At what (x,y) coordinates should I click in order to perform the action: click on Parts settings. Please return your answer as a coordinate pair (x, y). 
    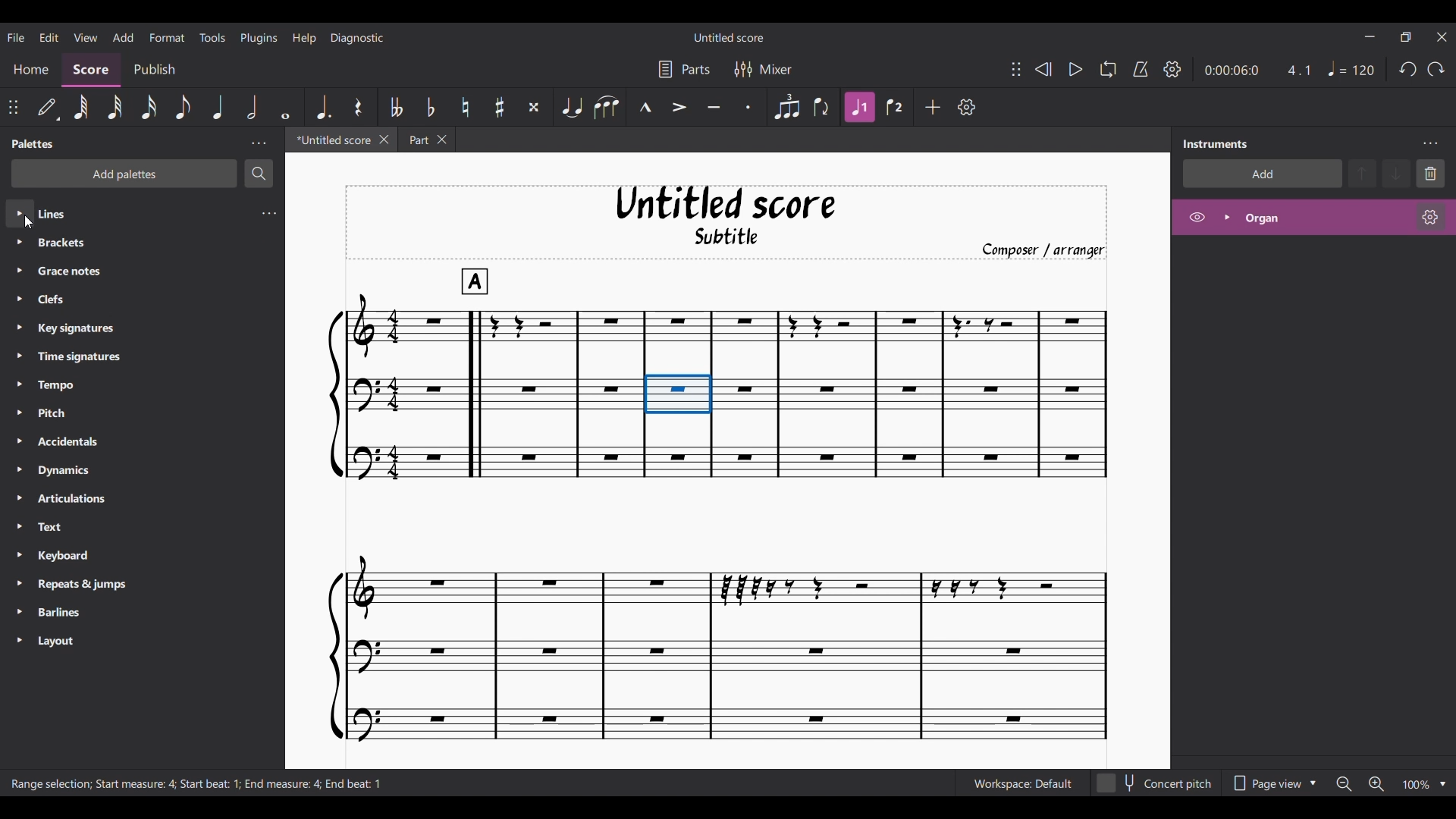
    Looking at the image, I should click on (684, 68).